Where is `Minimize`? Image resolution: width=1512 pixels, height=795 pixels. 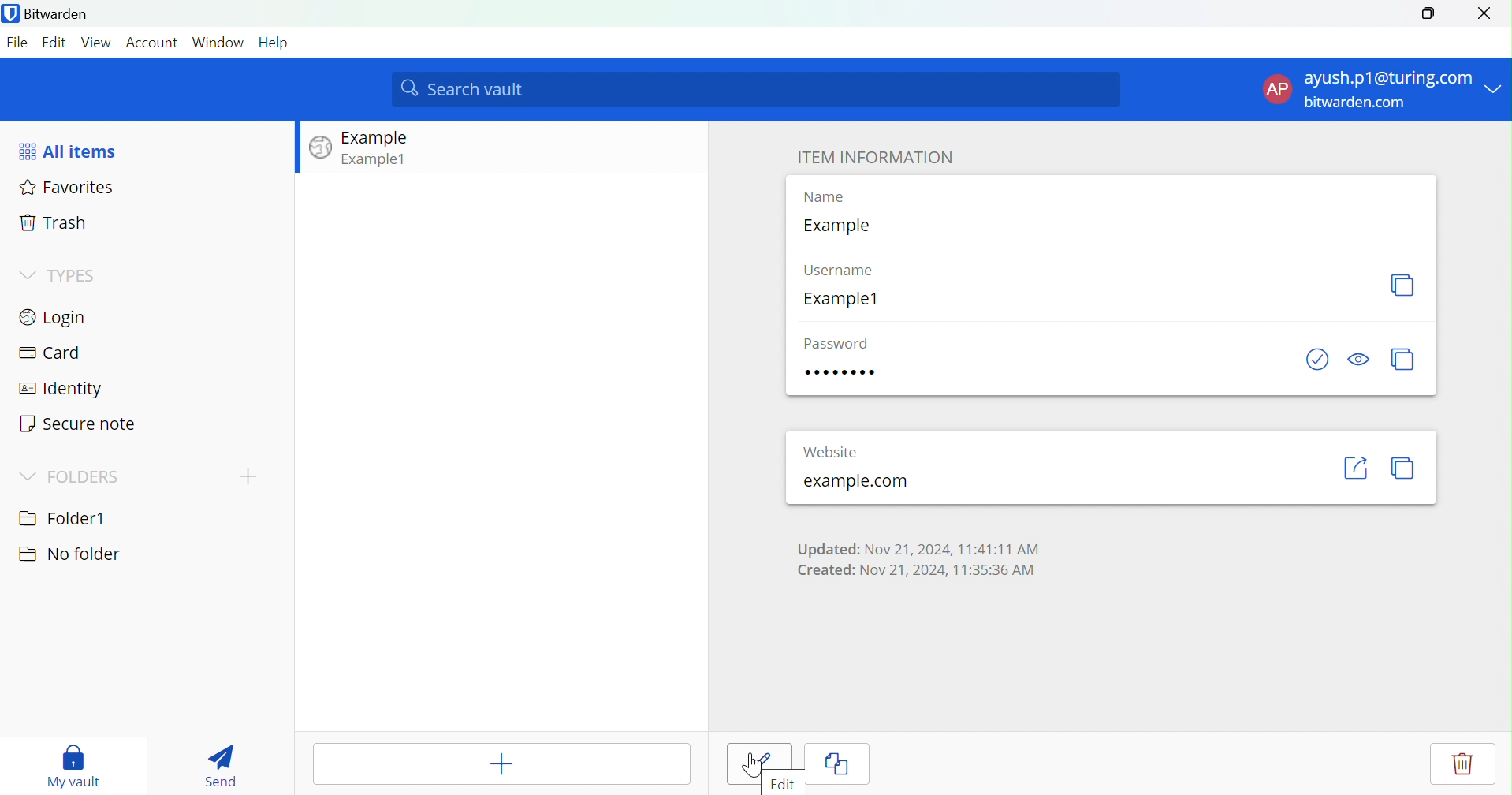
Minimize is located at coordinates (1373, 12).